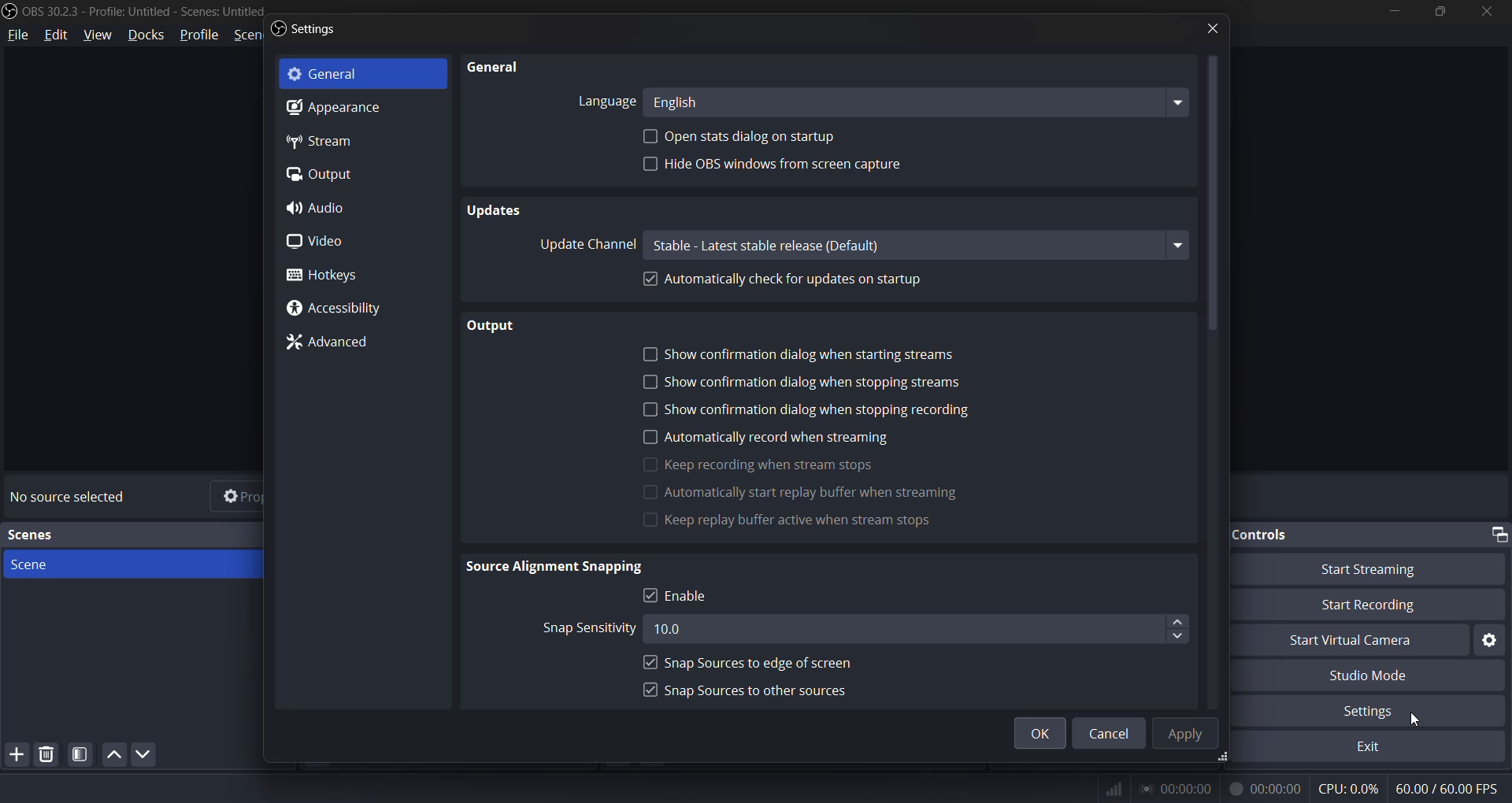 The height and width of the screenshot is (803, 1512). What do you see at coordinates (1373, 674) in the screenshot?
I see `studio mode` at bounding box center [1373, 674].